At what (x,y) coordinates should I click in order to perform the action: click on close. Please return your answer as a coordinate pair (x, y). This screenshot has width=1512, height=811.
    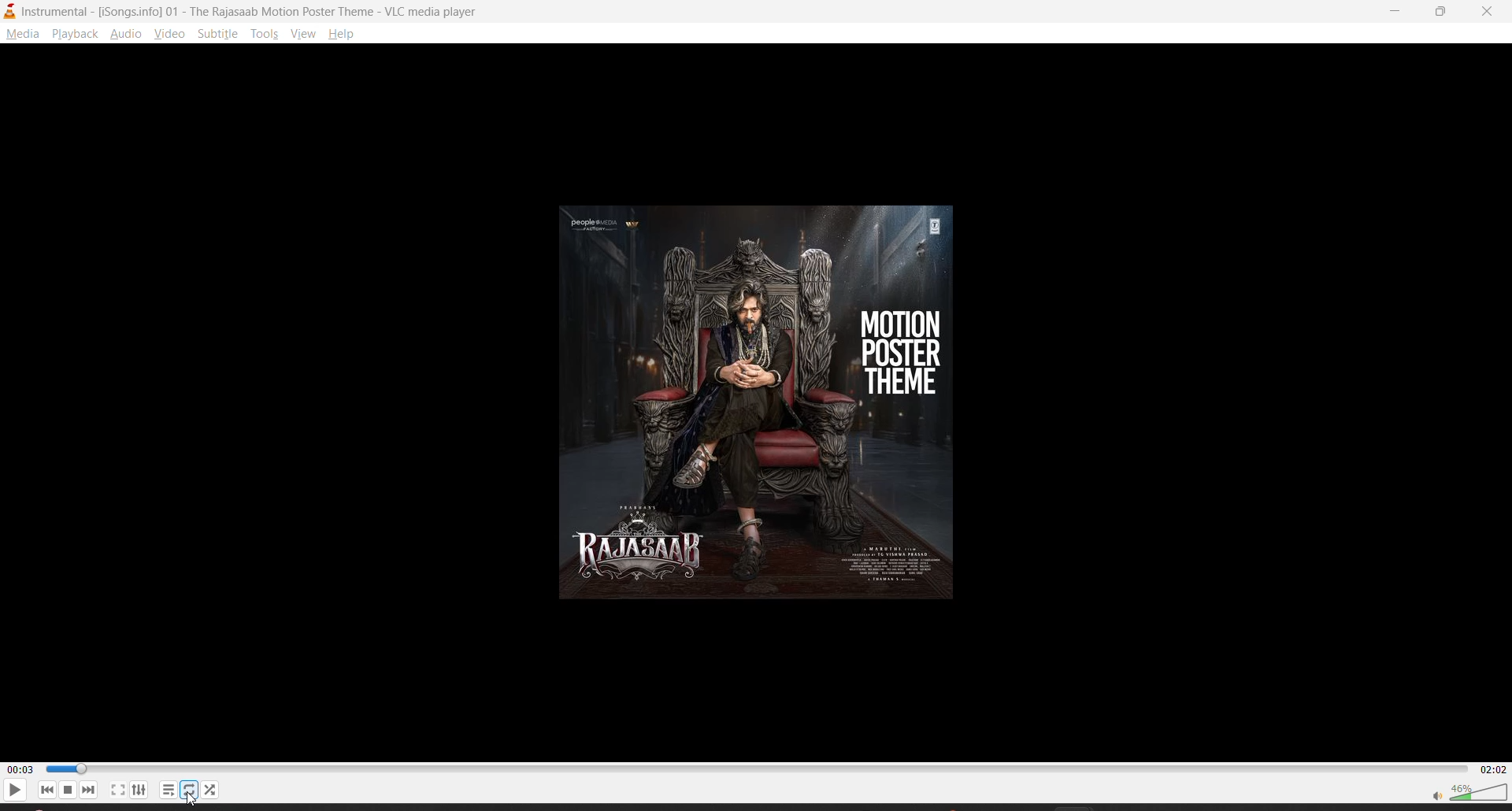
    Looking at the image, I should click on (1488, 12).